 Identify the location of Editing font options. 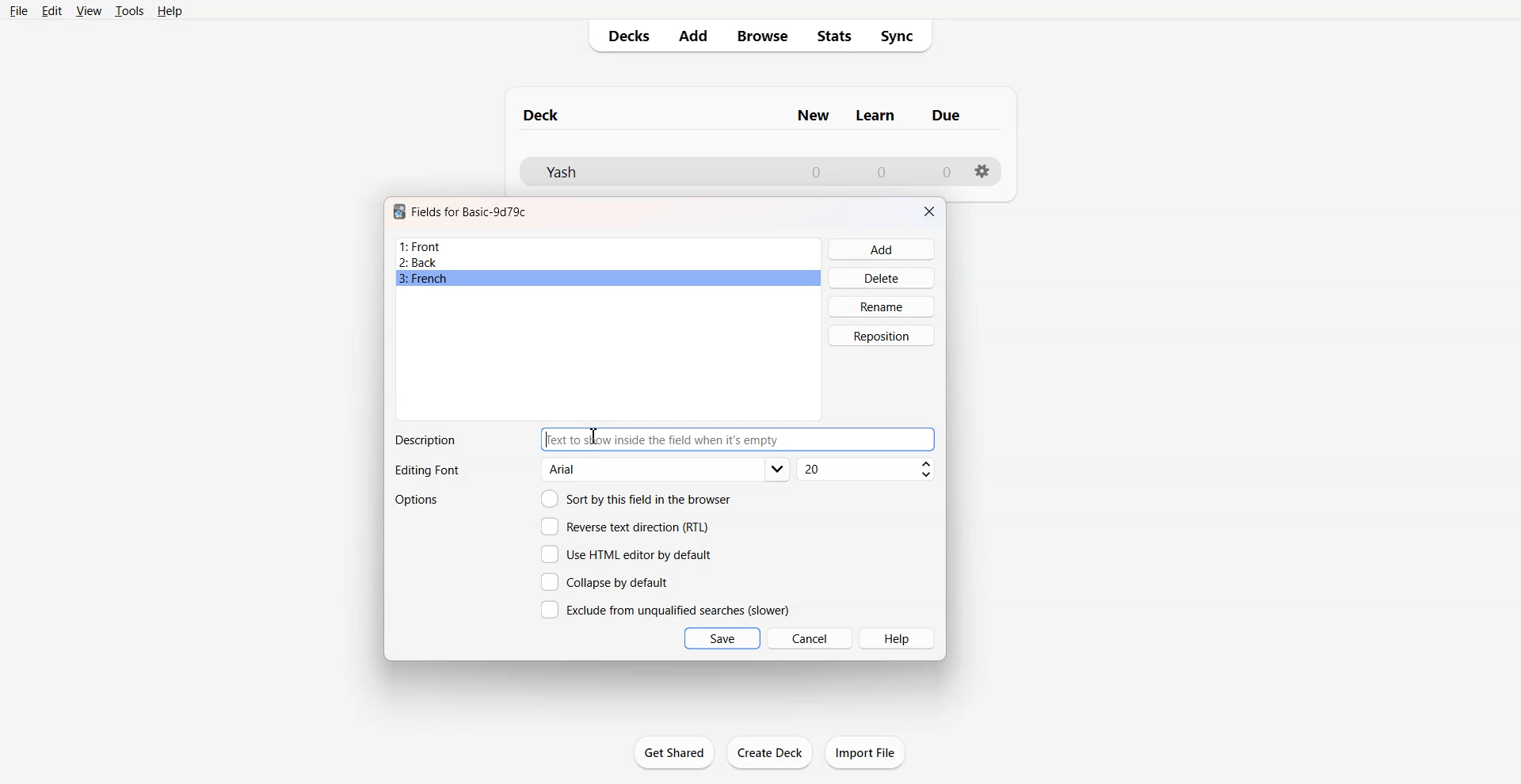
(666, 470).